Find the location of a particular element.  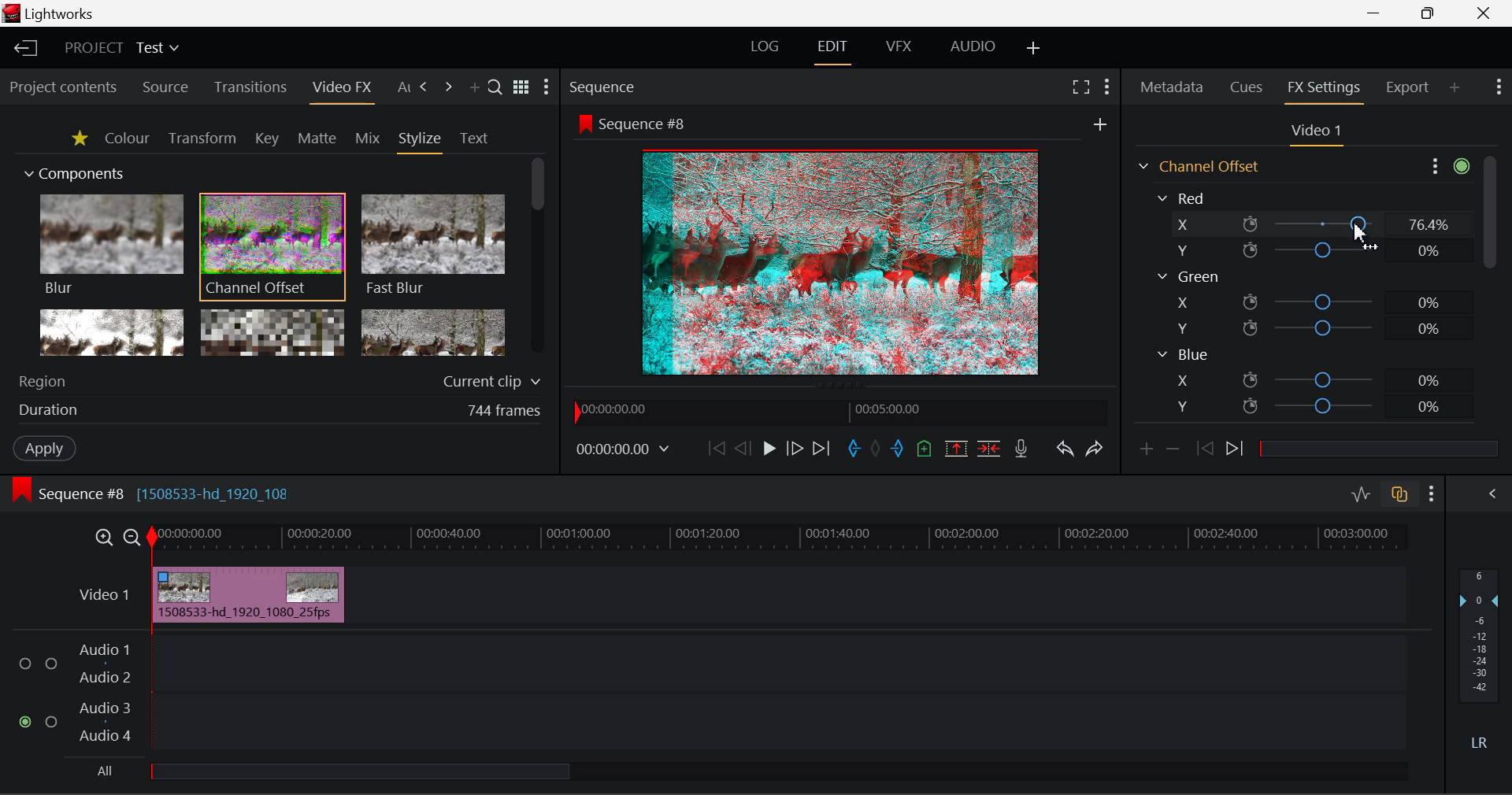

Project Title is located at coordinates (121, 46).